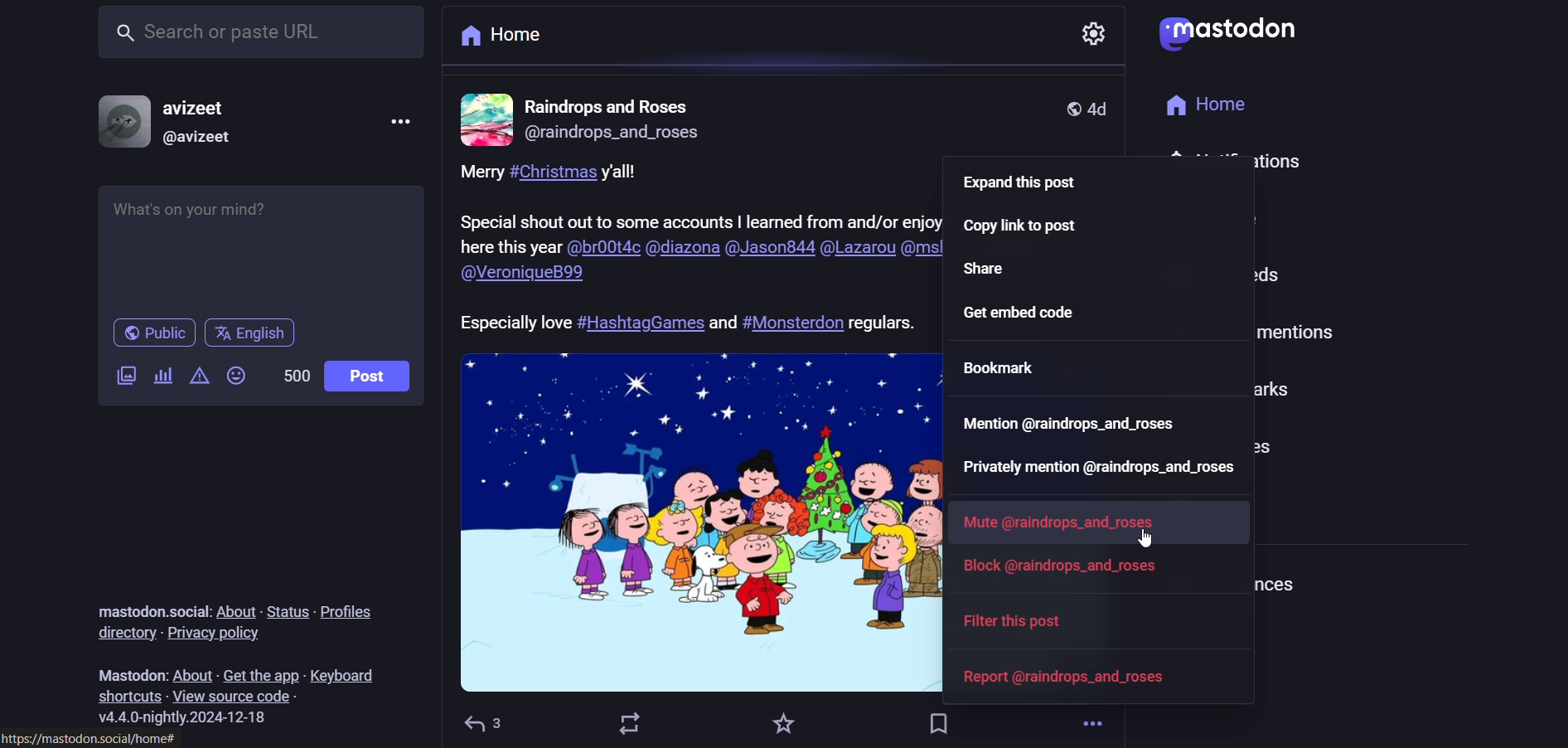 The height and width of the screenshot is (748, 1568). What do you see at coordinates (782, 721) in the screenshot?
I see `favorites` at bounding box center [782, 721].